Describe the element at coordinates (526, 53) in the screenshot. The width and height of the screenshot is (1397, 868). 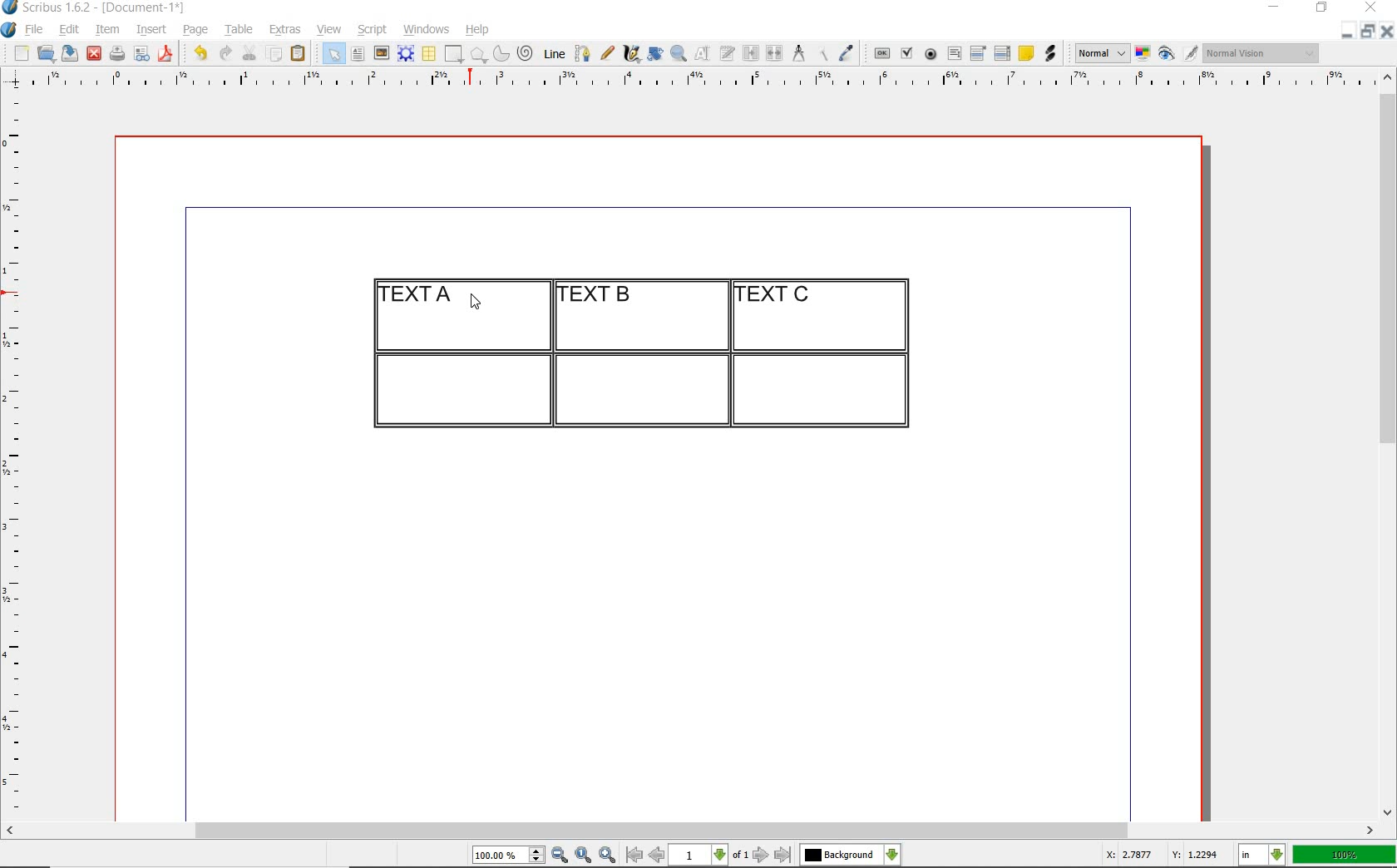
I see `spiral` at that location.